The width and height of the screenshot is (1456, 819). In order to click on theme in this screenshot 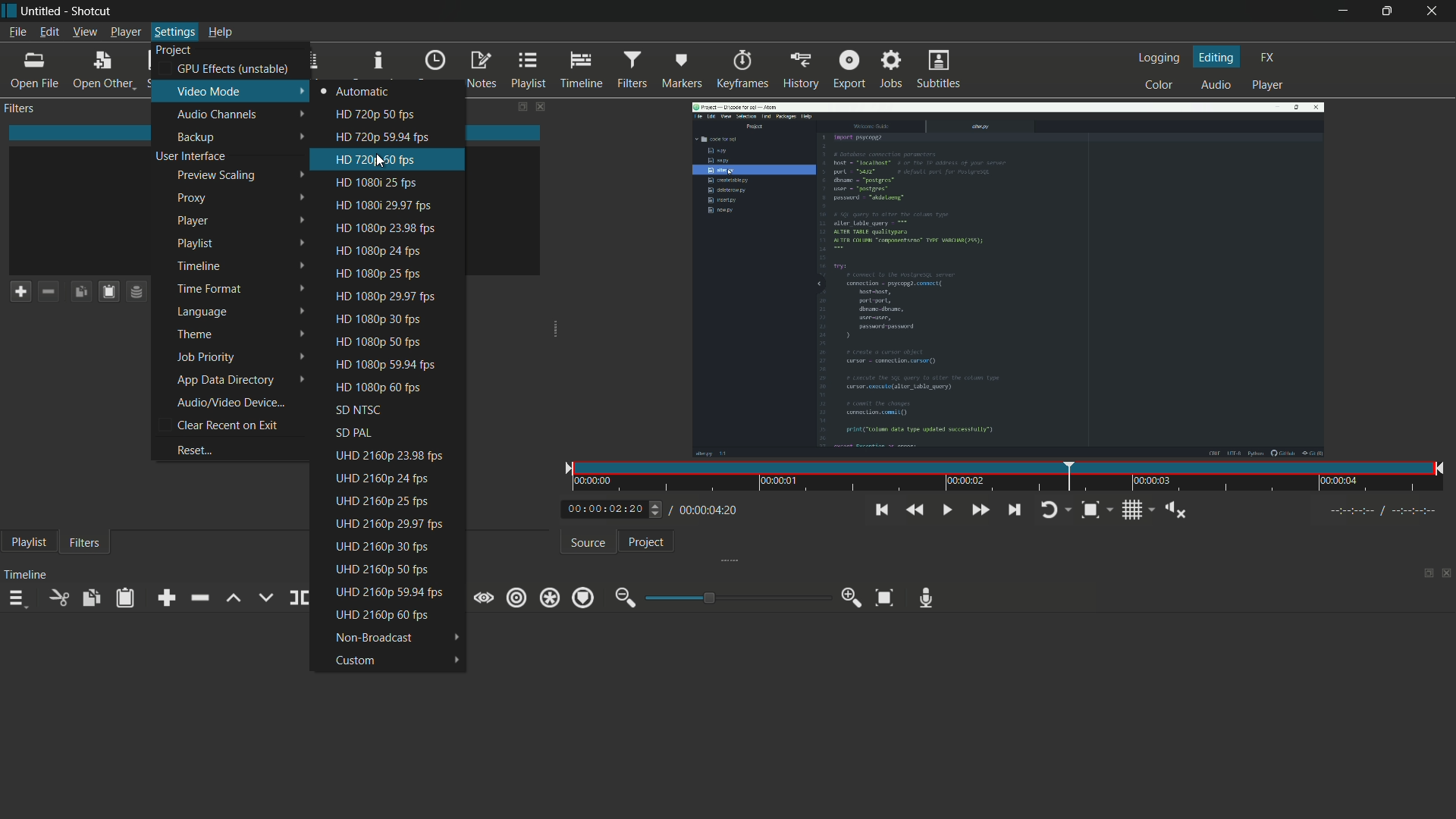, I will do `click(242, 334)`.